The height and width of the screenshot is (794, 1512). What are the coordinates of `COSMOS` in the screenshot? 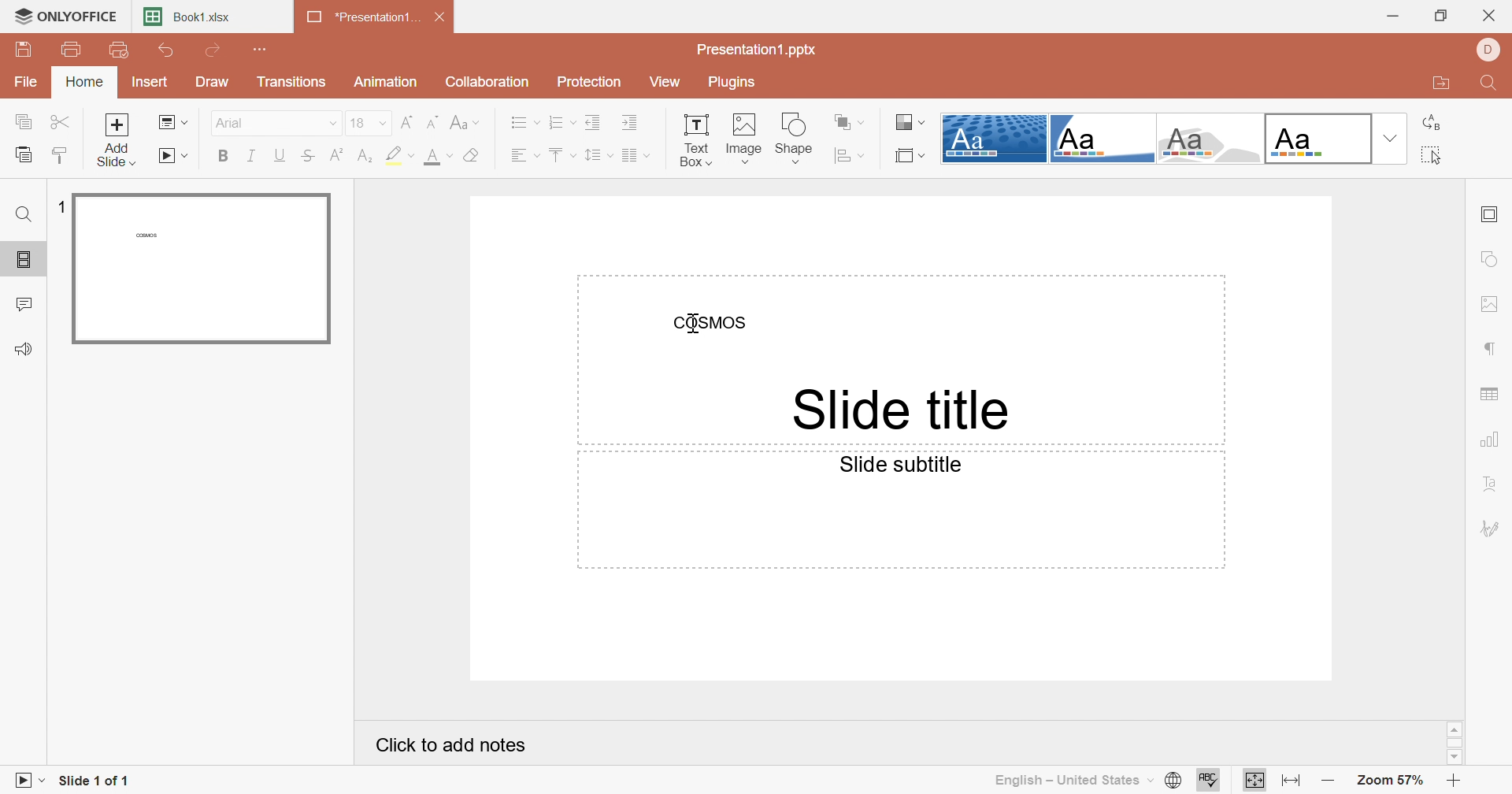 It's located at (710, 323).